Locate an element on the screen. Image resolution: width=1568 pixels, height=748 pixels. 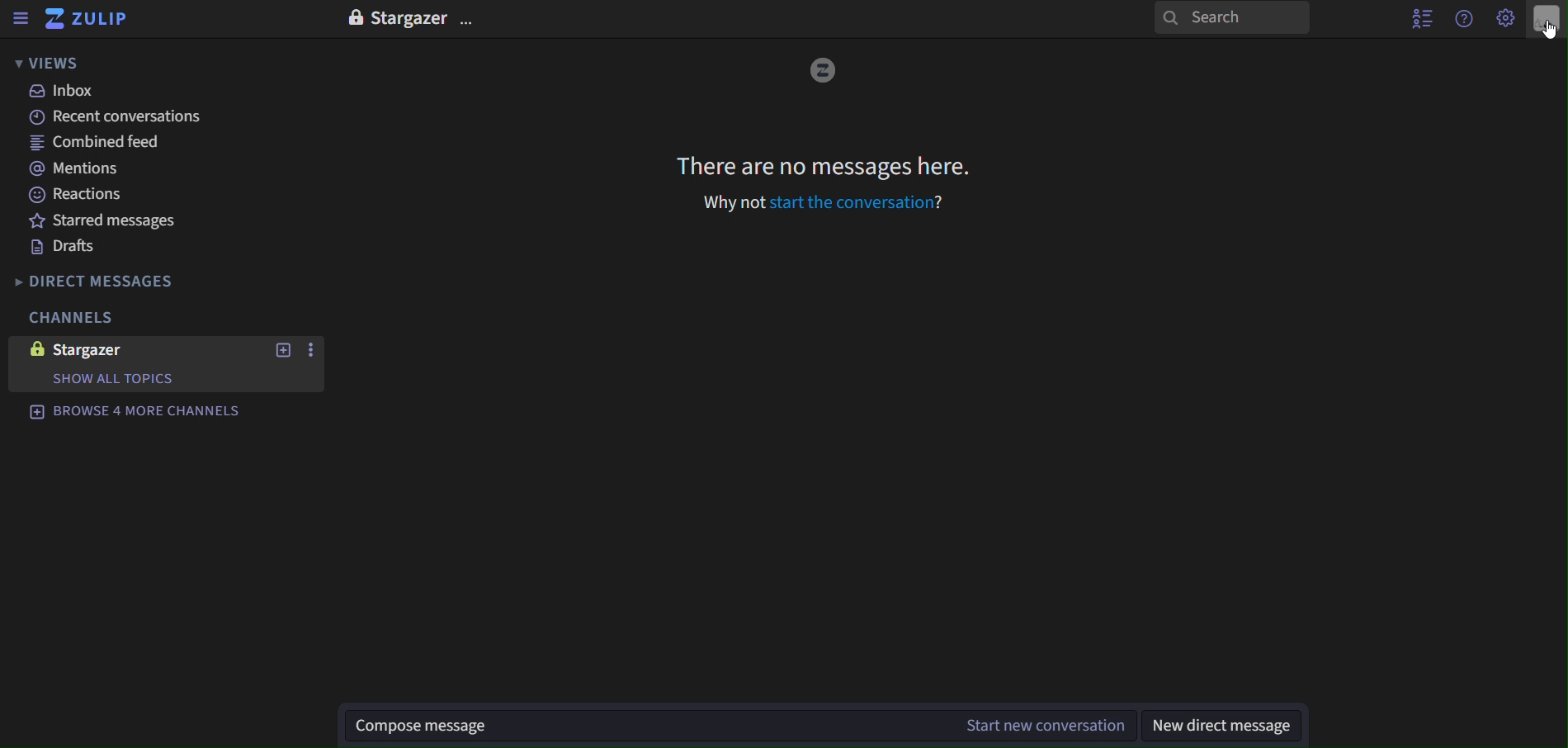
views is located at coordinates (48, 64).